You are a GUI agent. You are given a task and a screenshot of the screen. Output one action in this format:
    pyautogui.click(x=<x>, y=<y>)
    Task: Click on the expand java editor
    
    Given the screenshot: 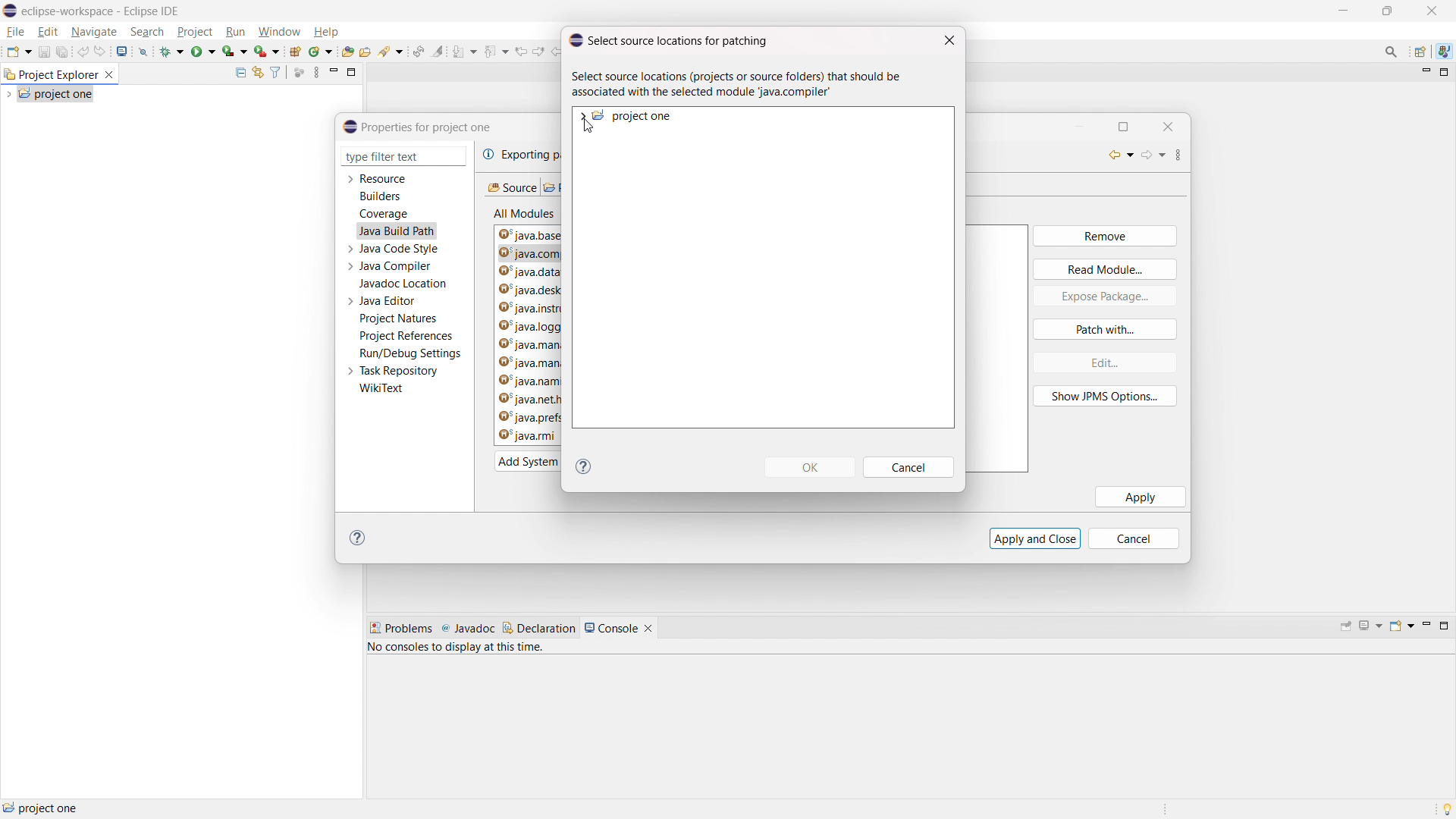 What is the action you would take?
    pyautogui.click(x=350, y=301)
    